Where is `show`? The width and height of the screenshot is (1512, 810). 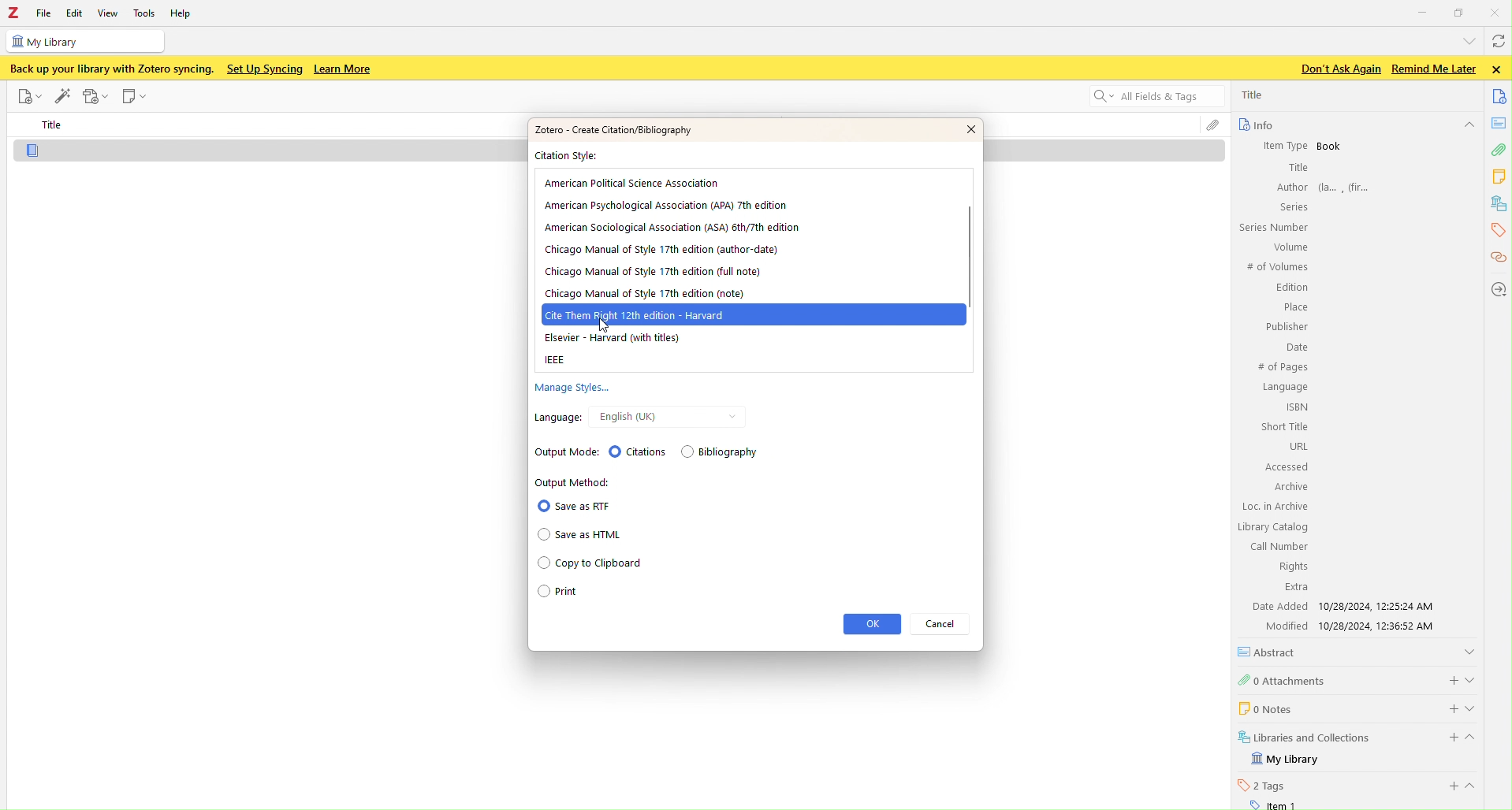 show is located at coordinates (1476, 786).